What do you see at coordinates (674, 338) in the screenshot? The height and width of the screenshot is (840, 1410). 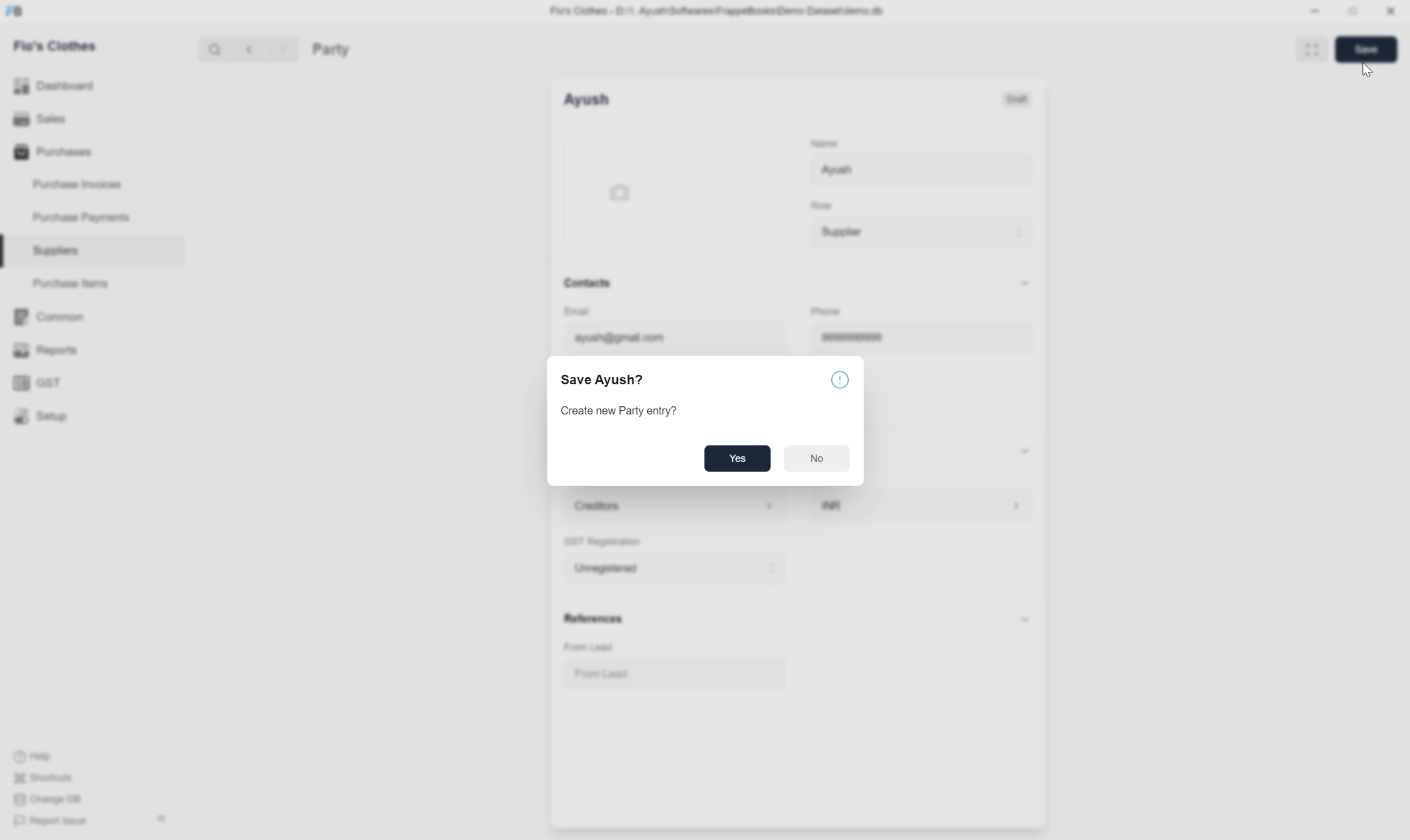 I see `ayush@gmail.com` at bounding box center [674, 338].